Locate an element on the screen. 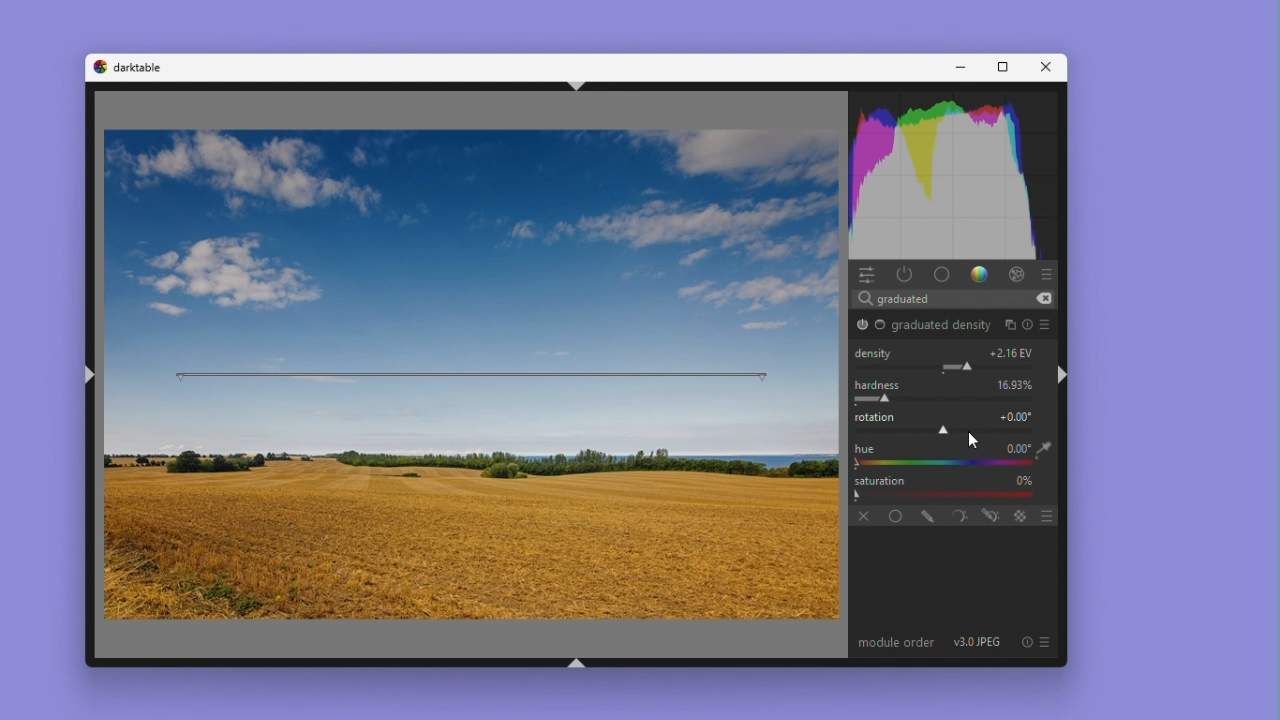 Image resolution: width=1280 pixels, height=720 pixels. v3.0 JPEG is located at coordinates (979, 643).